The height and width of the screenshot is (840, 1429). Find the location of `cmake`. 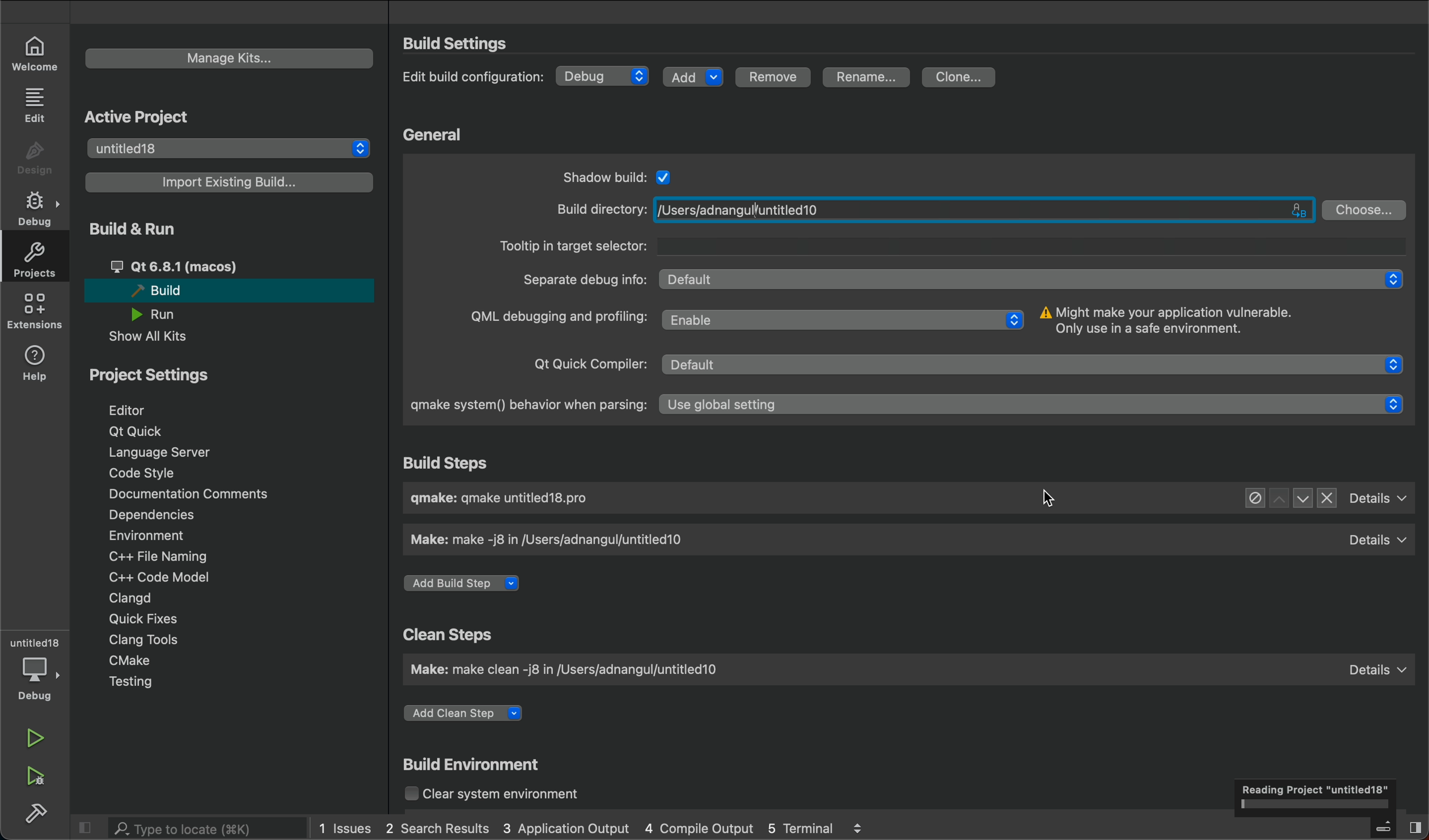

cmake is located at coordinates (133, 660).